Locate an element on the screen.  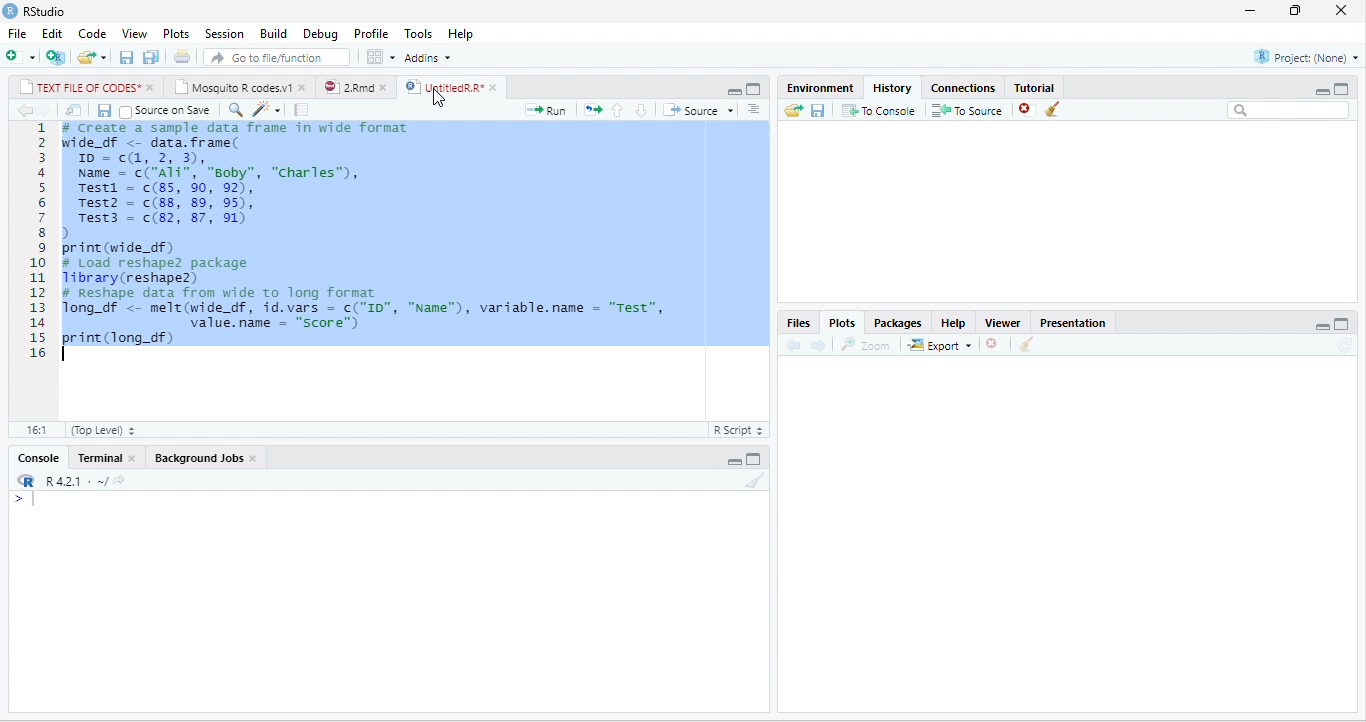
typing cursor is located at coordinates (68, 354).